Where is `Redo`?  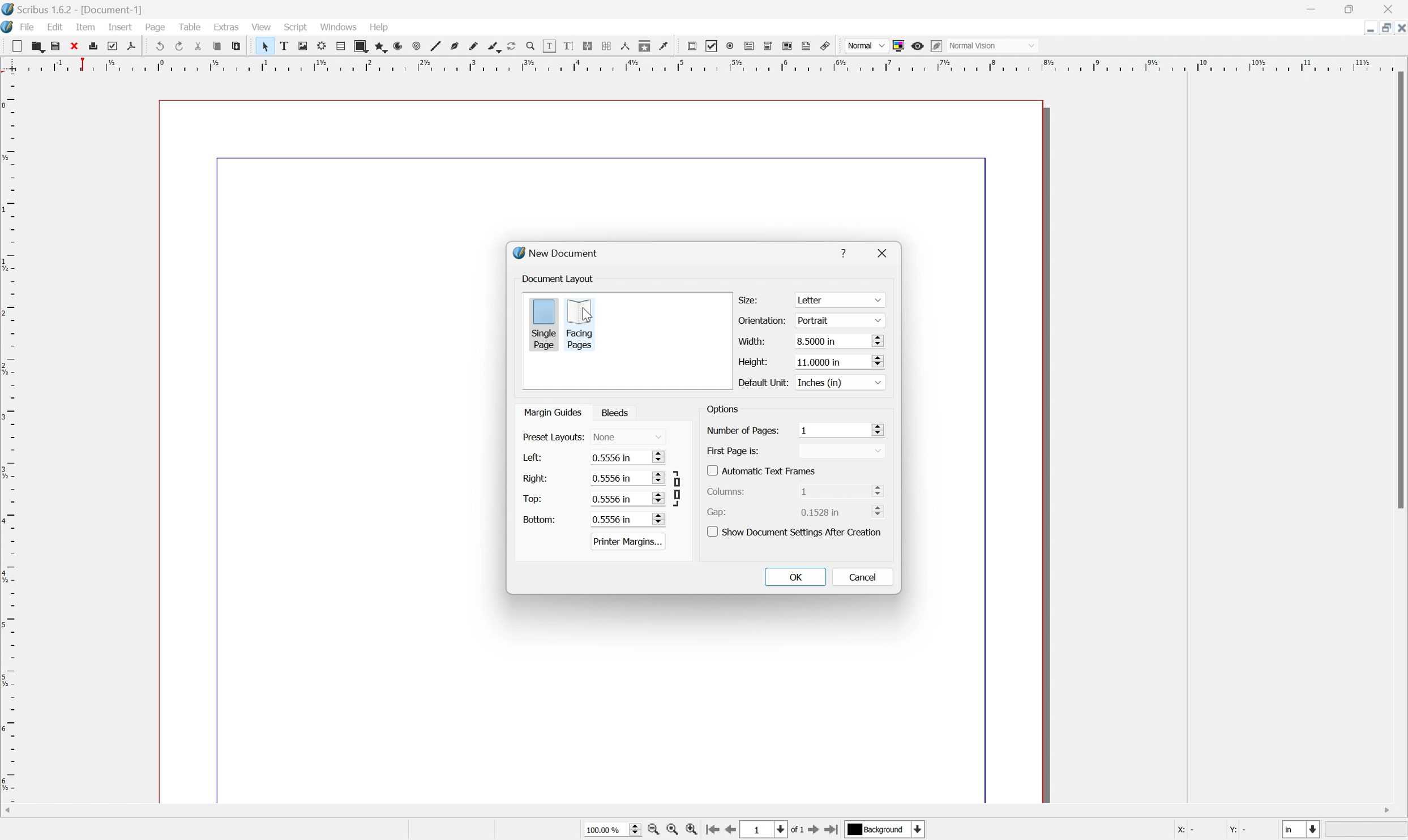
Redo is located at coordinates (179, 46).